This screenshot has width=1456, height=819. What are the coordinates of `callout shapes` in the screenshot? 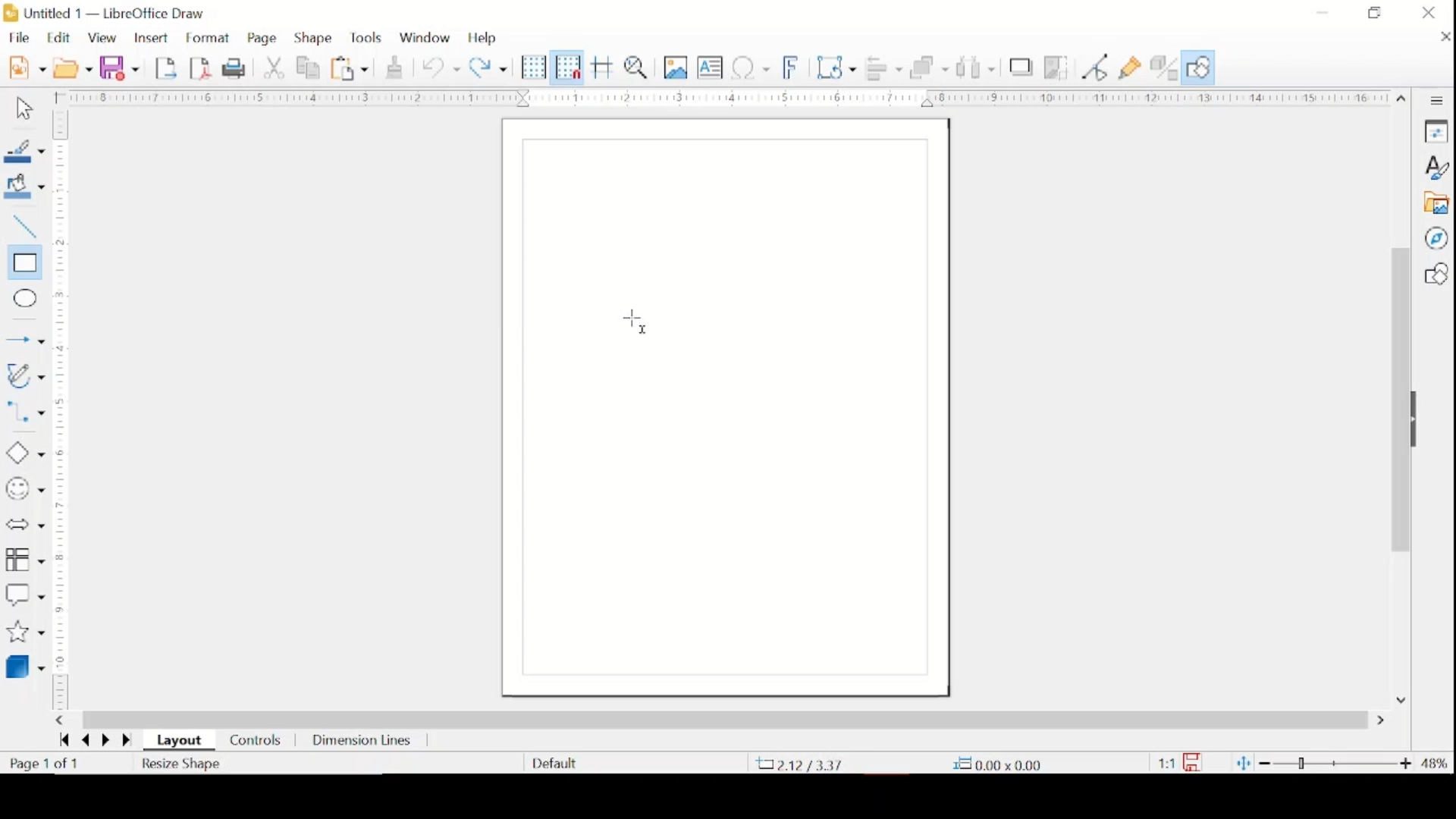 It's located at (25, 595).